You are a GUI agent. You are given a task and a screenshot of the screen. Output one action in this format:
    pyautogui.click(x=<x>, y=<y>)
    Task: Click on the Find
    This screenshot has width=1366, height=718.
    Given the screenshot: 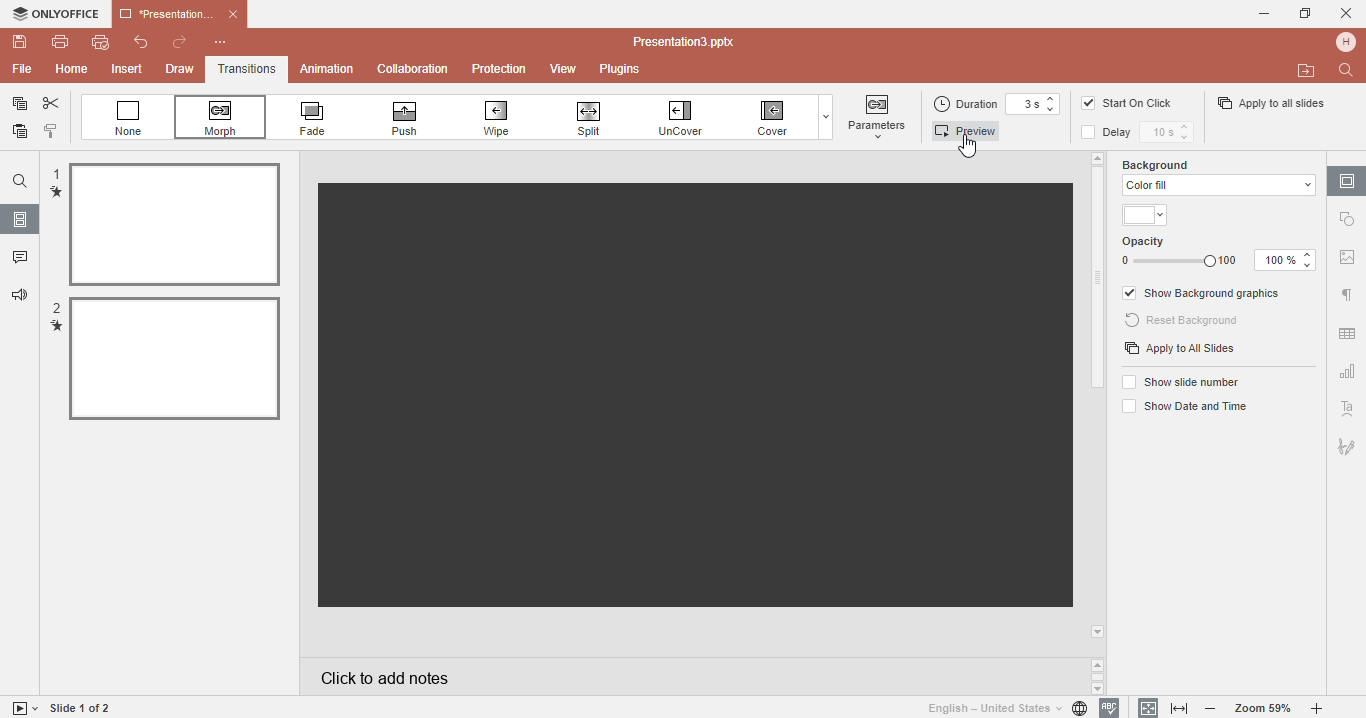 What is the action you would take?
    pyautogui.click(x=1349, y=70)
    